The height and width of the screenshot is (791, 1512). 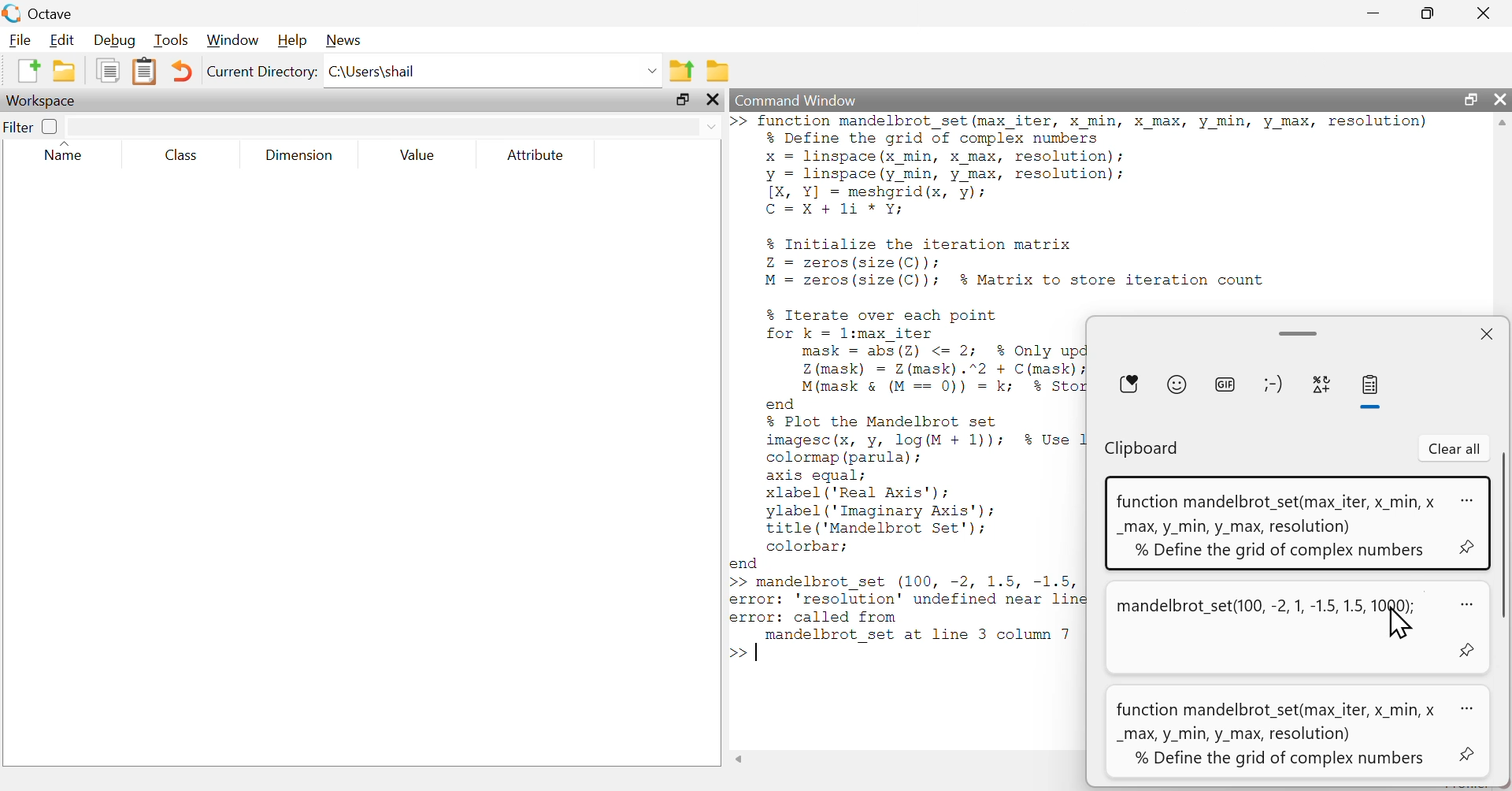 I want to click on Help, so click(x=290, y=41).